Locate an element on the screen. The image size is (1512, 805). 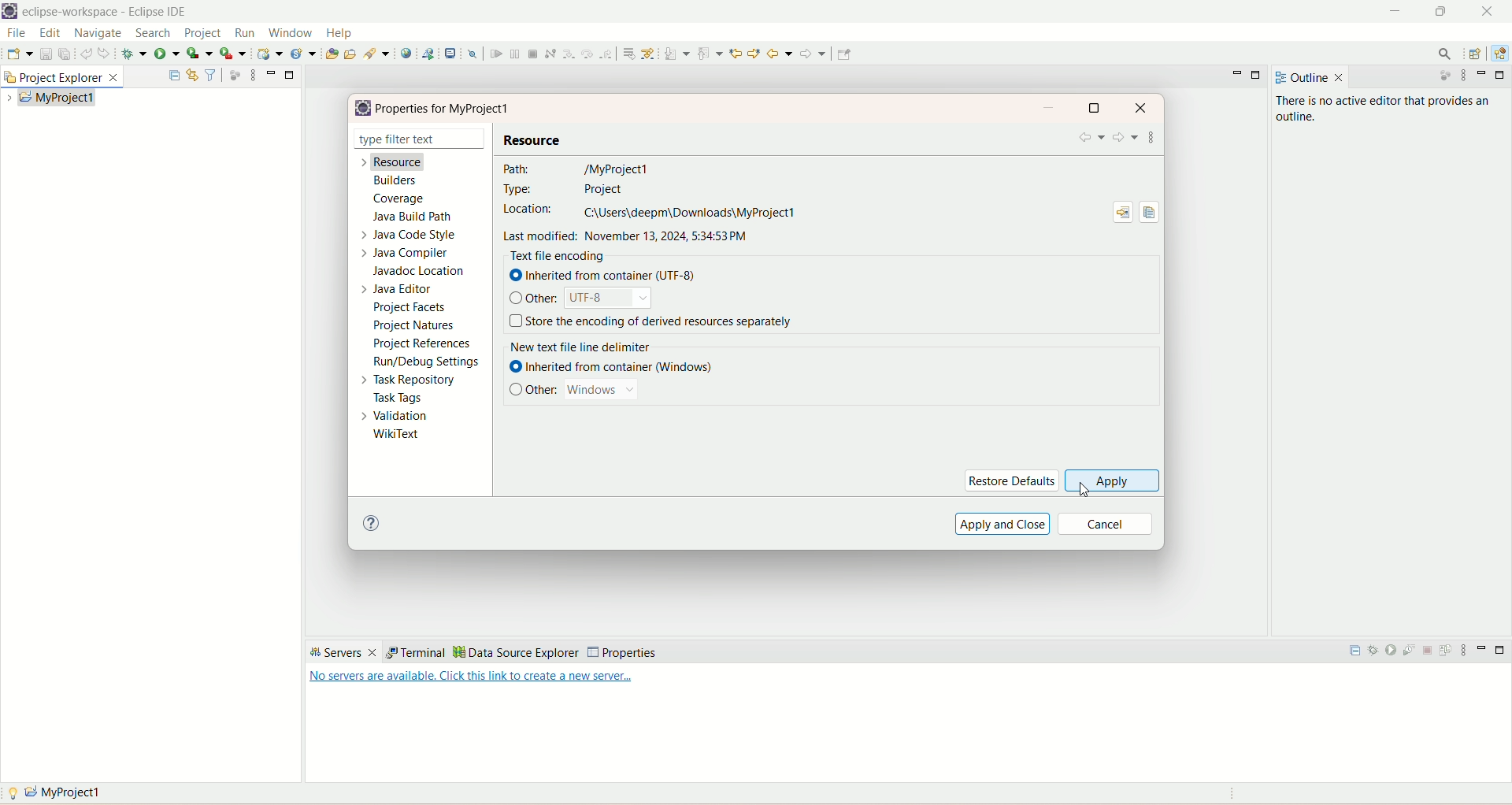
project explorer is located at coordinates (65, 77).